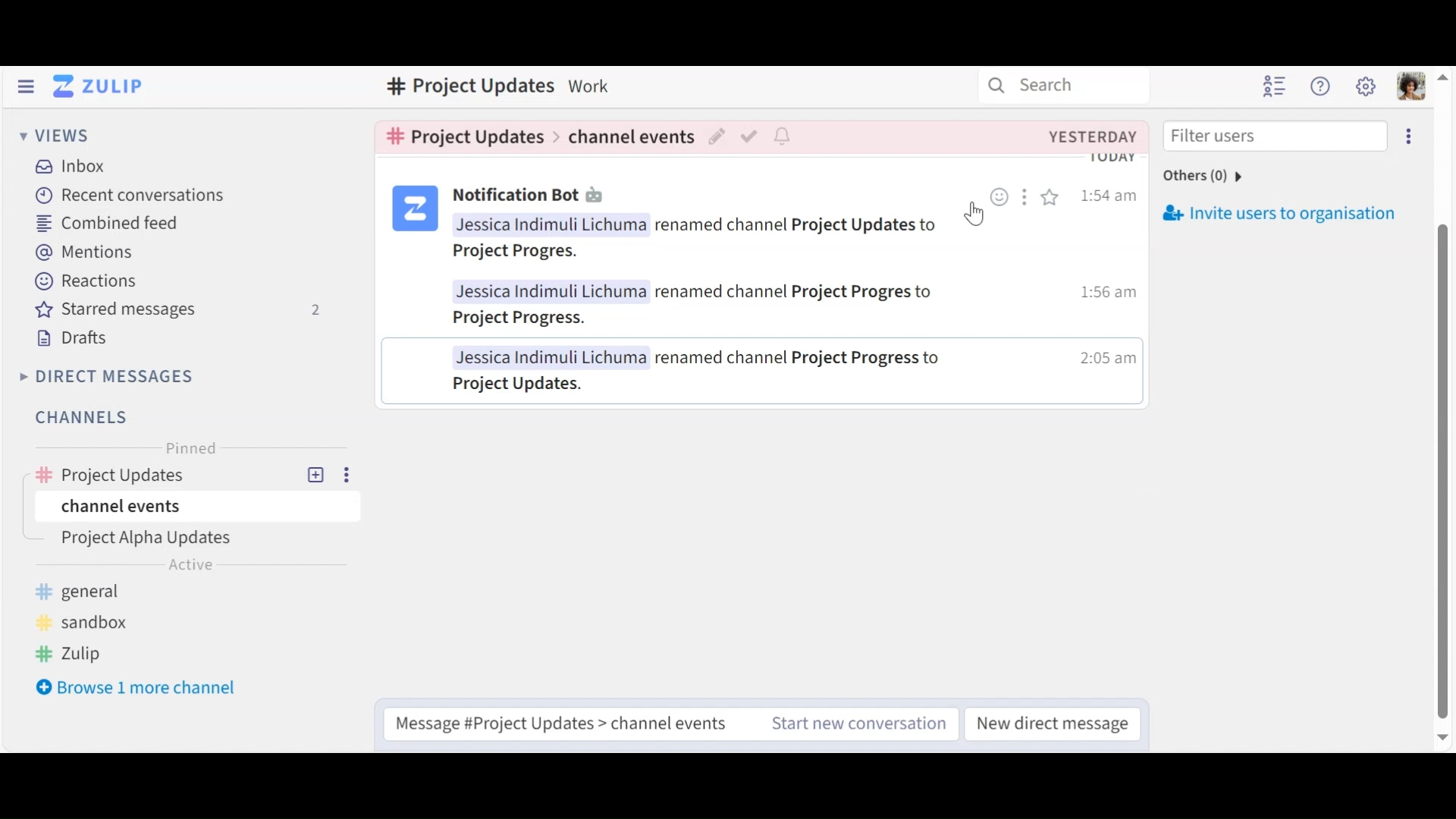  What do you see at coordinates (193, 471) in the screenshot?
I see `Channel` at bounding box center [193, 471].